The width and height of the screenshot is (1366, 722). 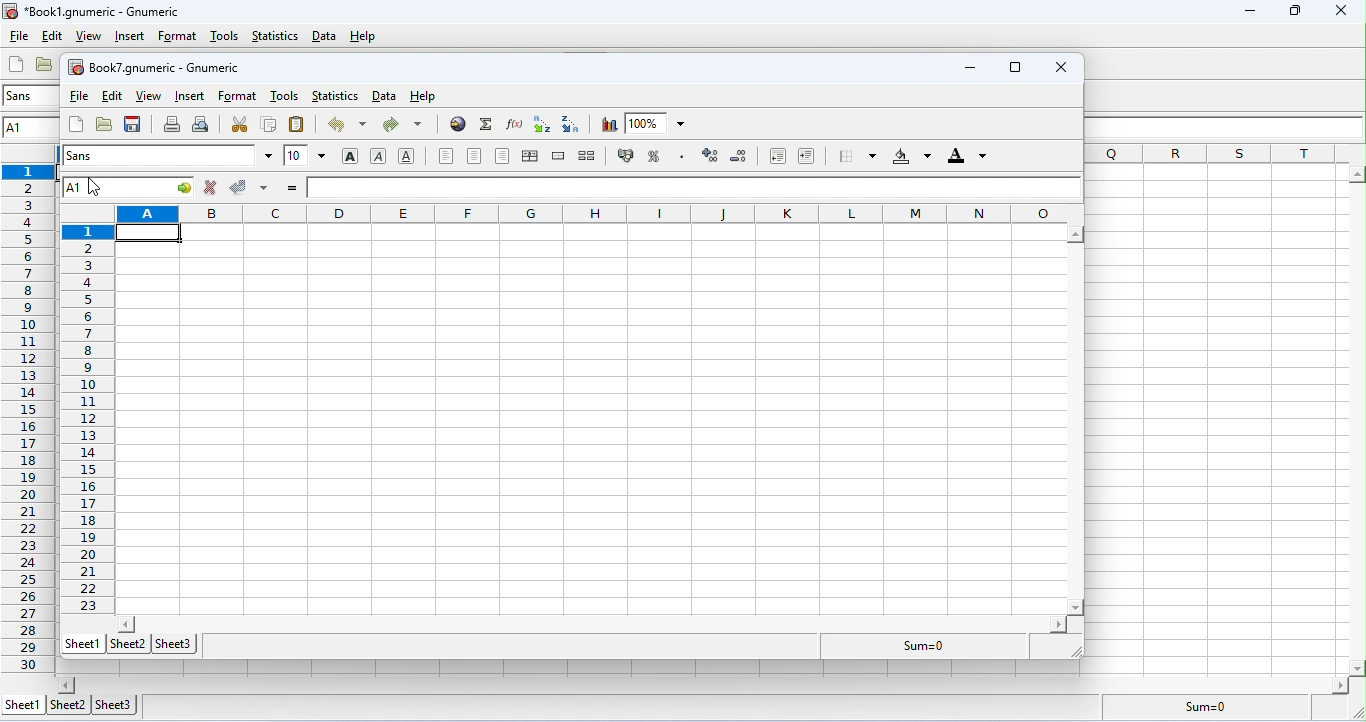 What do you see at coordinates (17, 64) in the screenshot?
I see `new` at bounding box center [17, 64].